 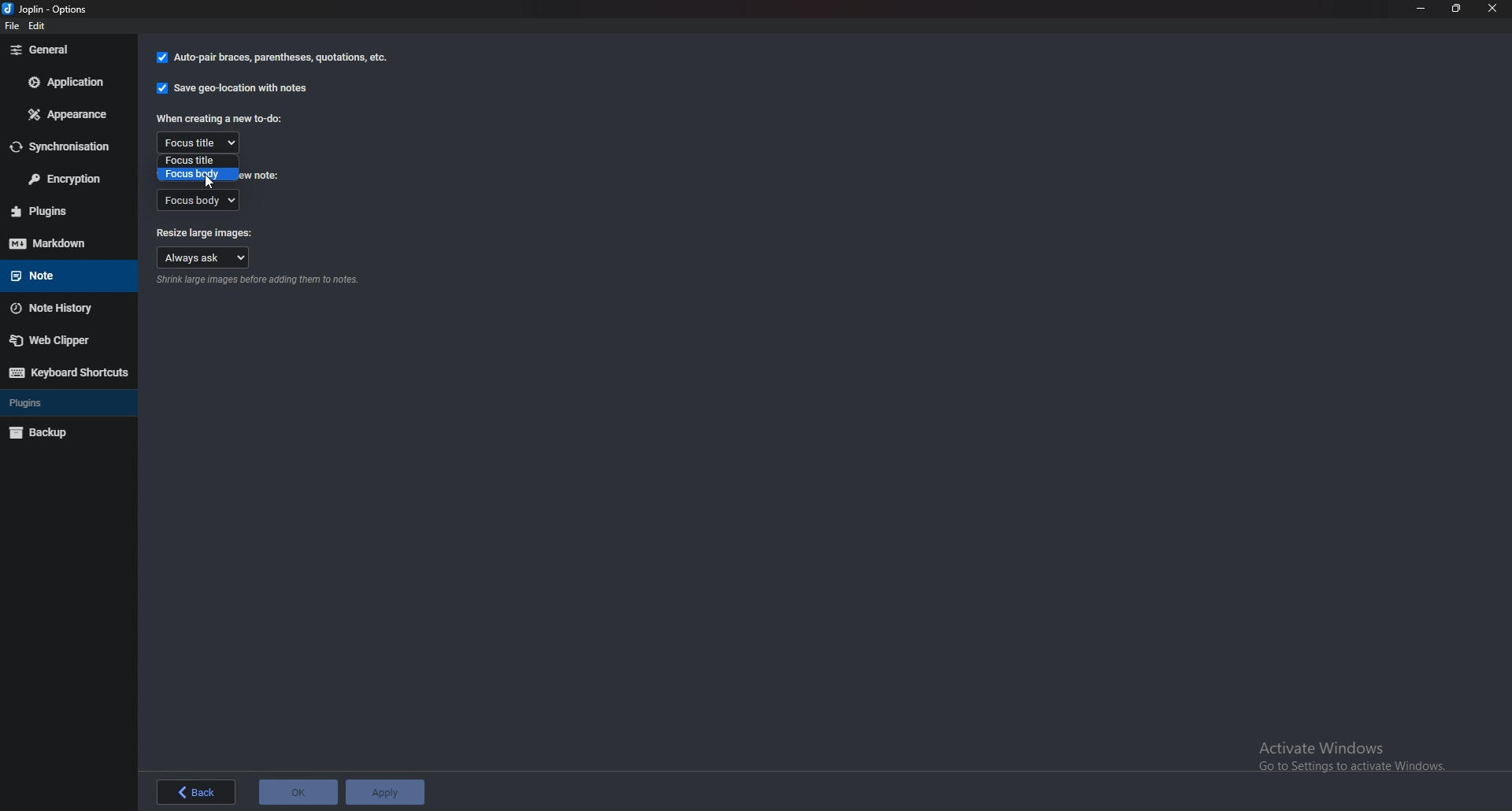 I want to click on Note history, so click(x=66, y=309).